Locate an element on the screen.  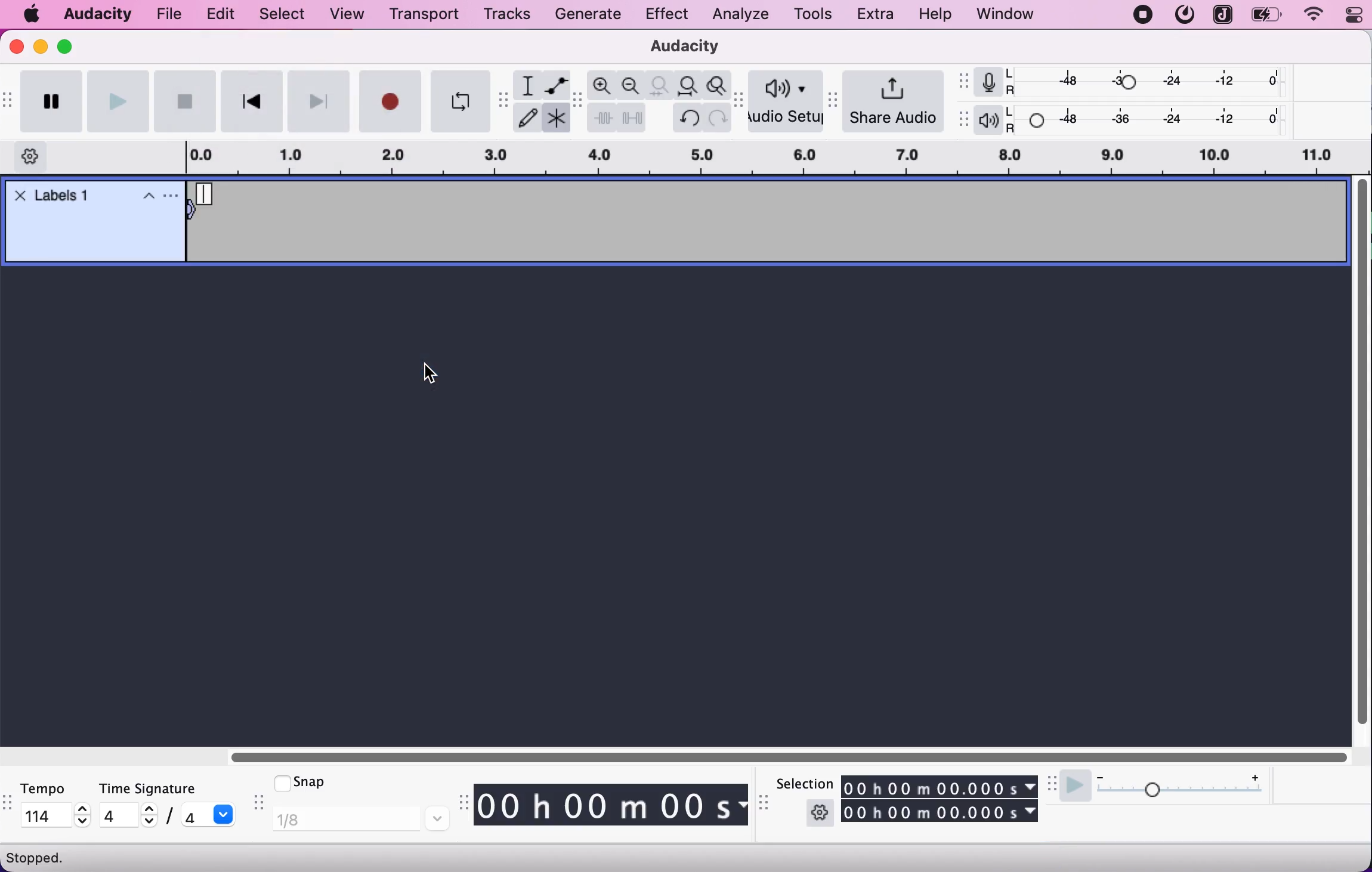
Typing cursor is located at coordinates (204, 190).